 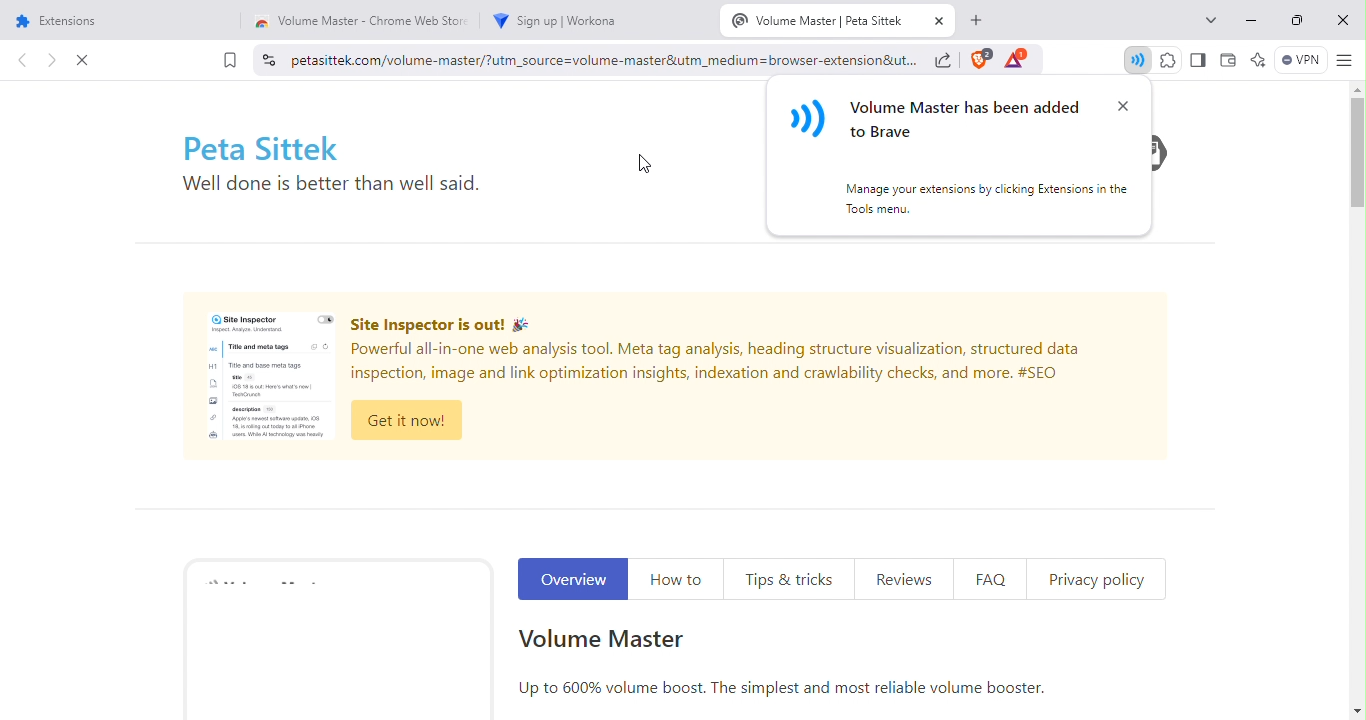 I want to click on customize and control brave , so click(x=1342, y=59).